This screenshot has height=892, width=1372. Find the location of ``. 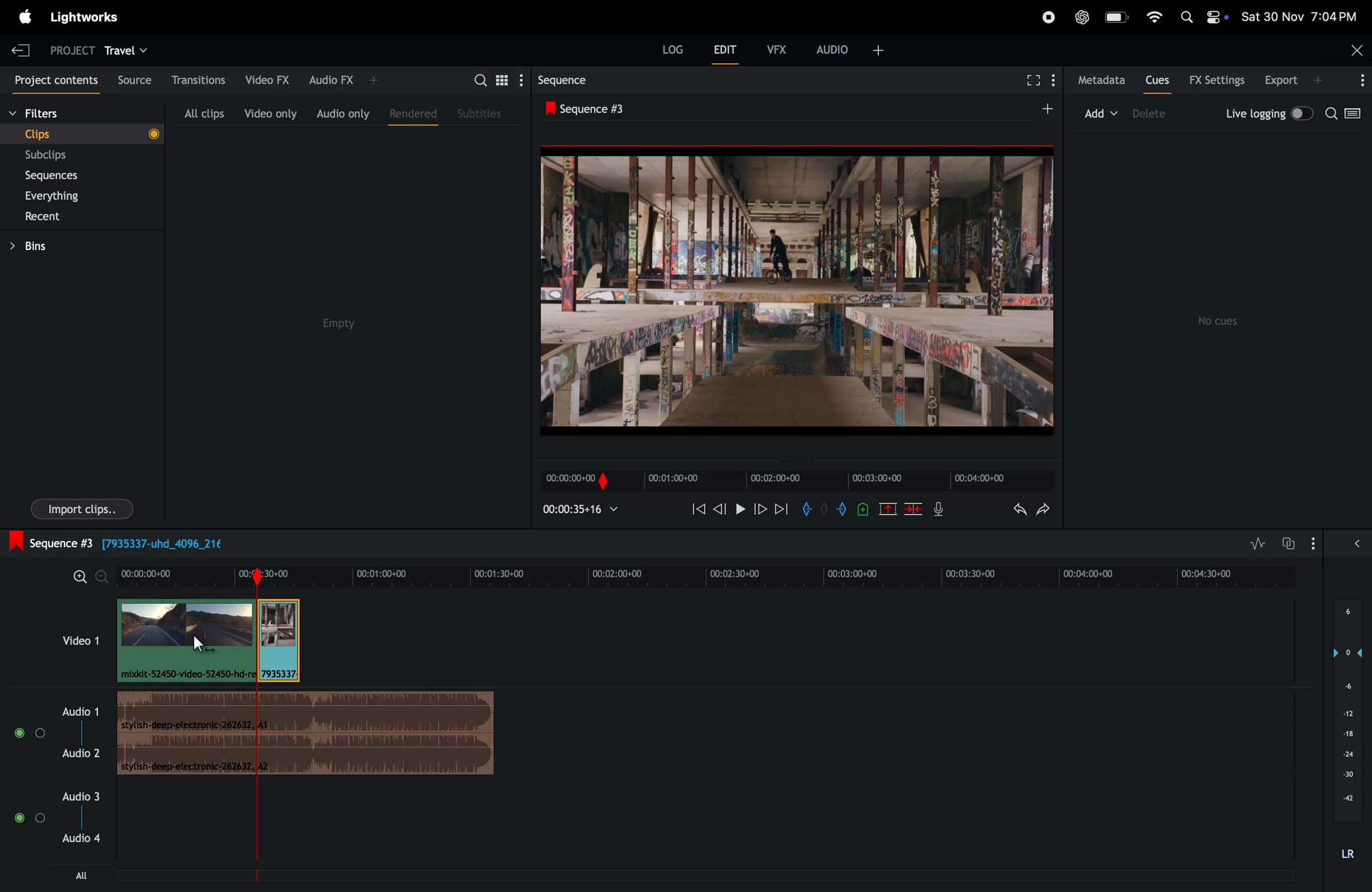

 is located at coordinates (803, 510).